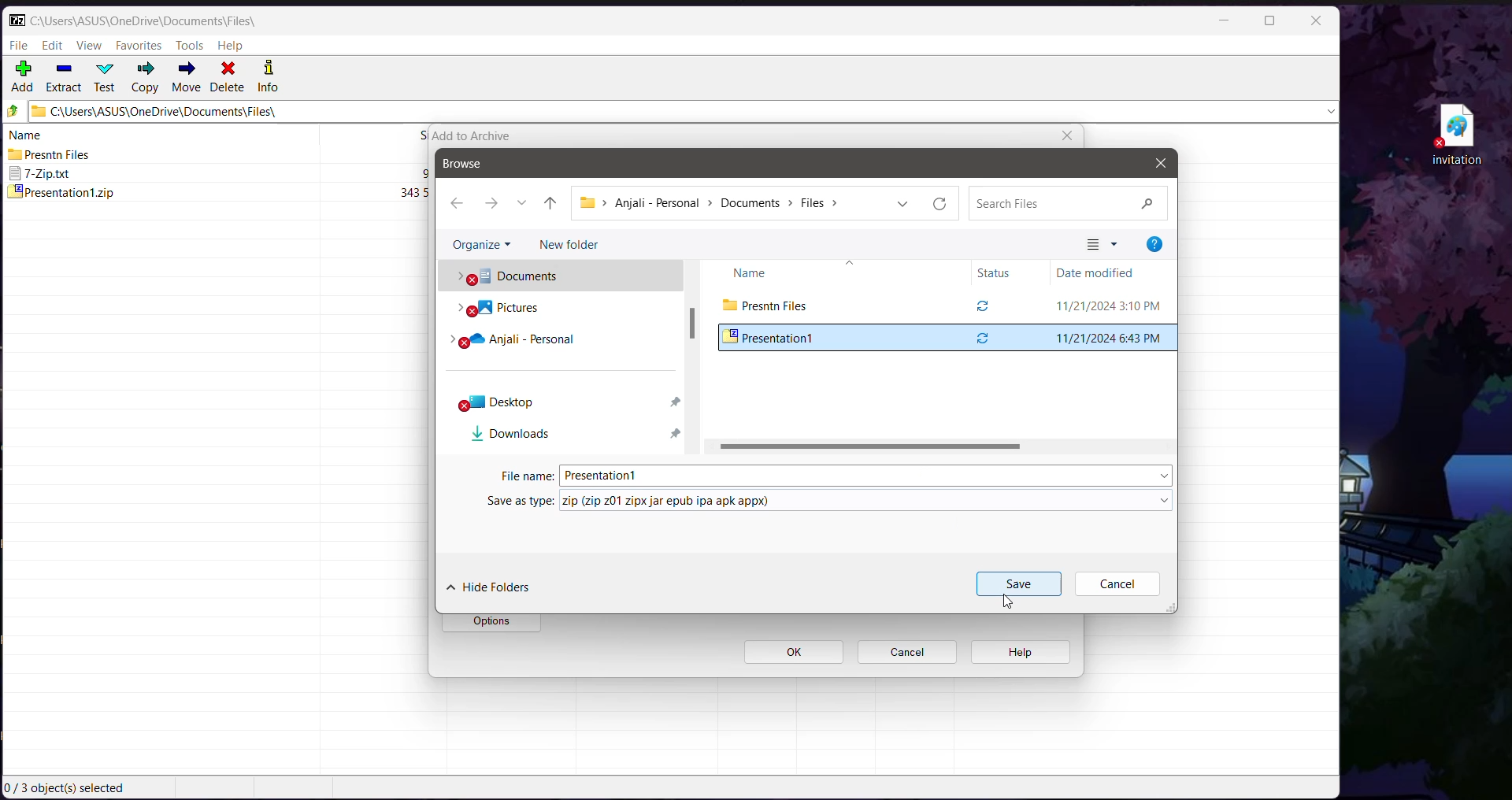 Image resolution: width=1512 pixels, height=800 pixels. I want to click on close, so click(1069, 136).